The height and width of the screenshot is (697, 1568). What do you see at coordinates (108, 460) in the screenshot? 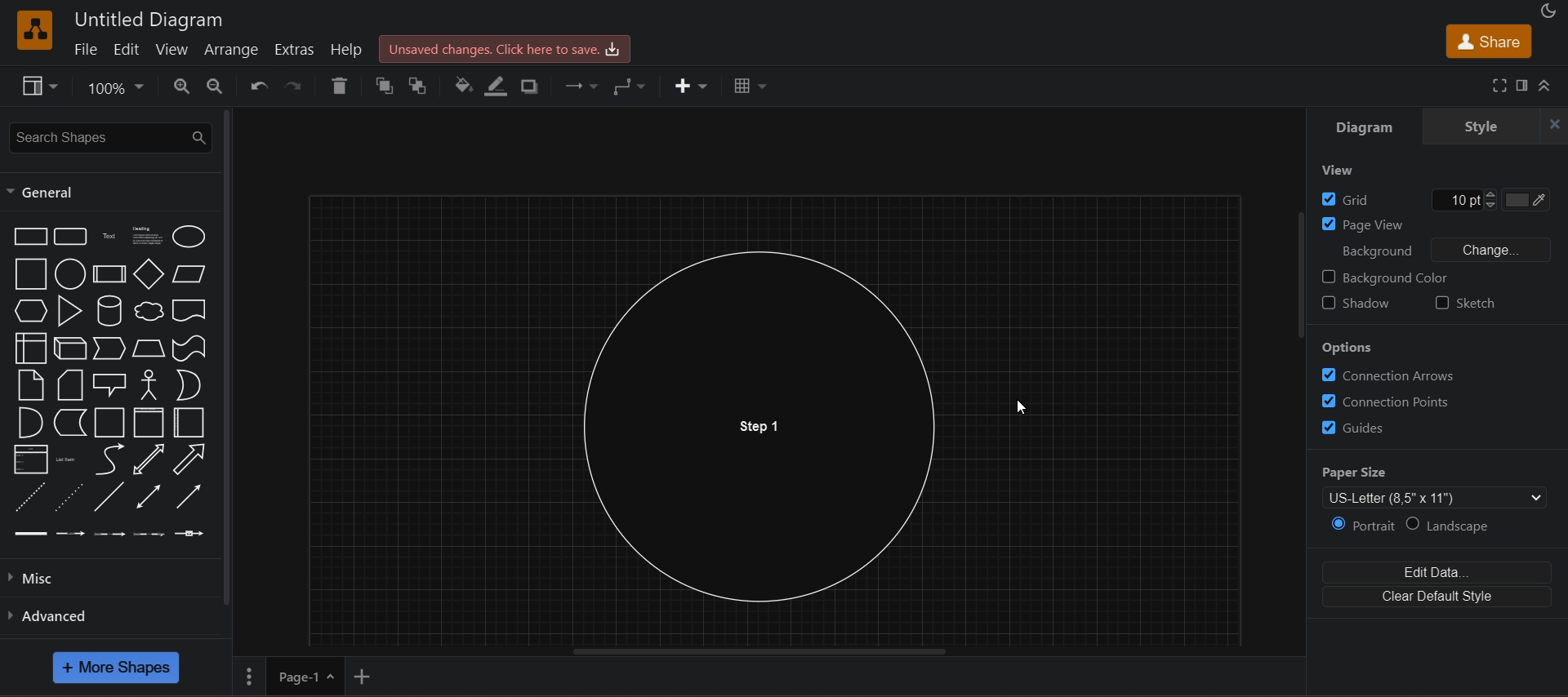
I see `curve` at bounding box center [108, 460].